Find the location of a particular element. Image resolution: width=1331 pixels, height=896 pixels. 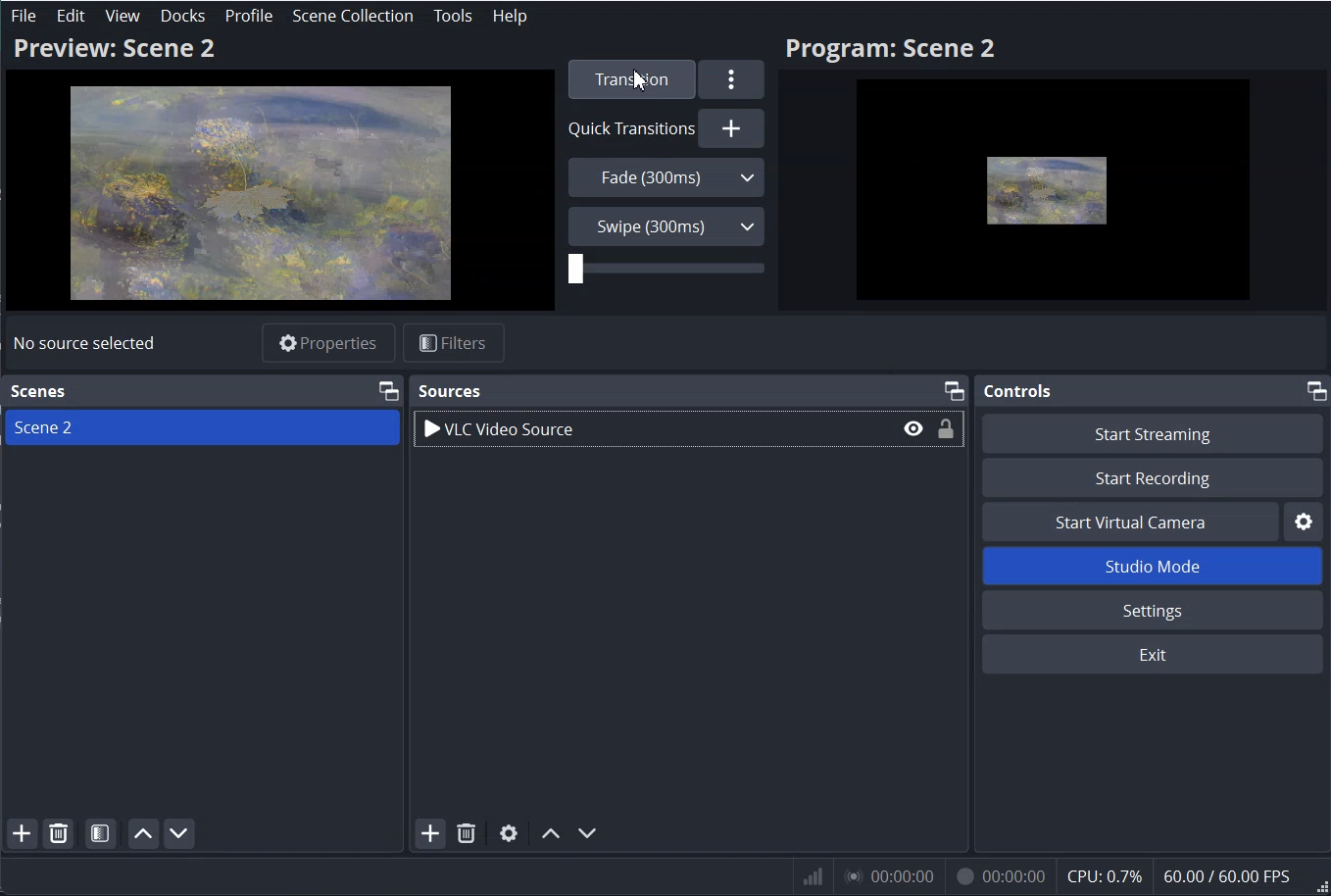

maximise is located at coordinates (1311, 391).